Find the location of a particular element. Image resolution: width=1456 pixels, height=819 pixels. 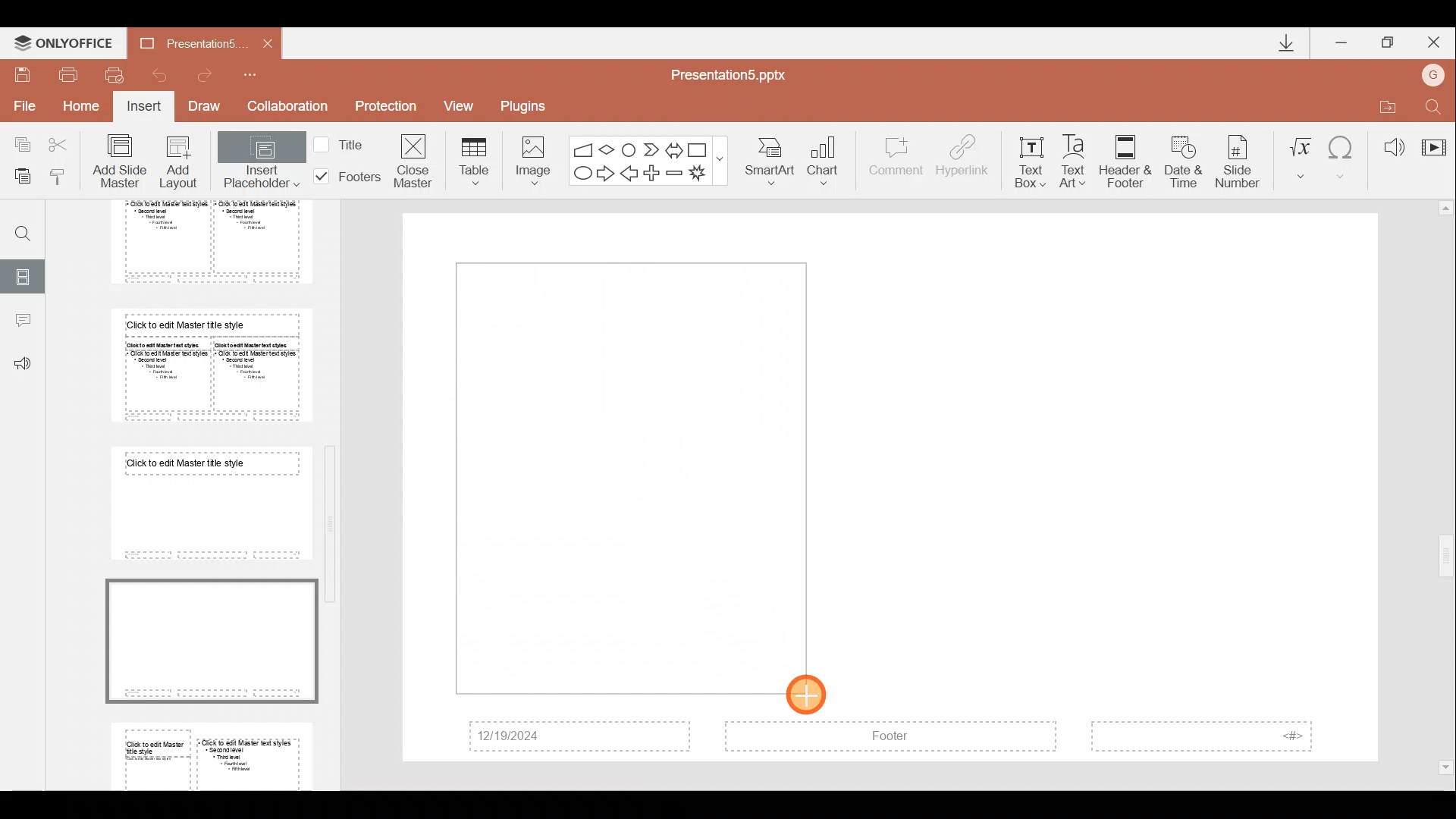

Hyperlink is located at coordinates (964, 158).